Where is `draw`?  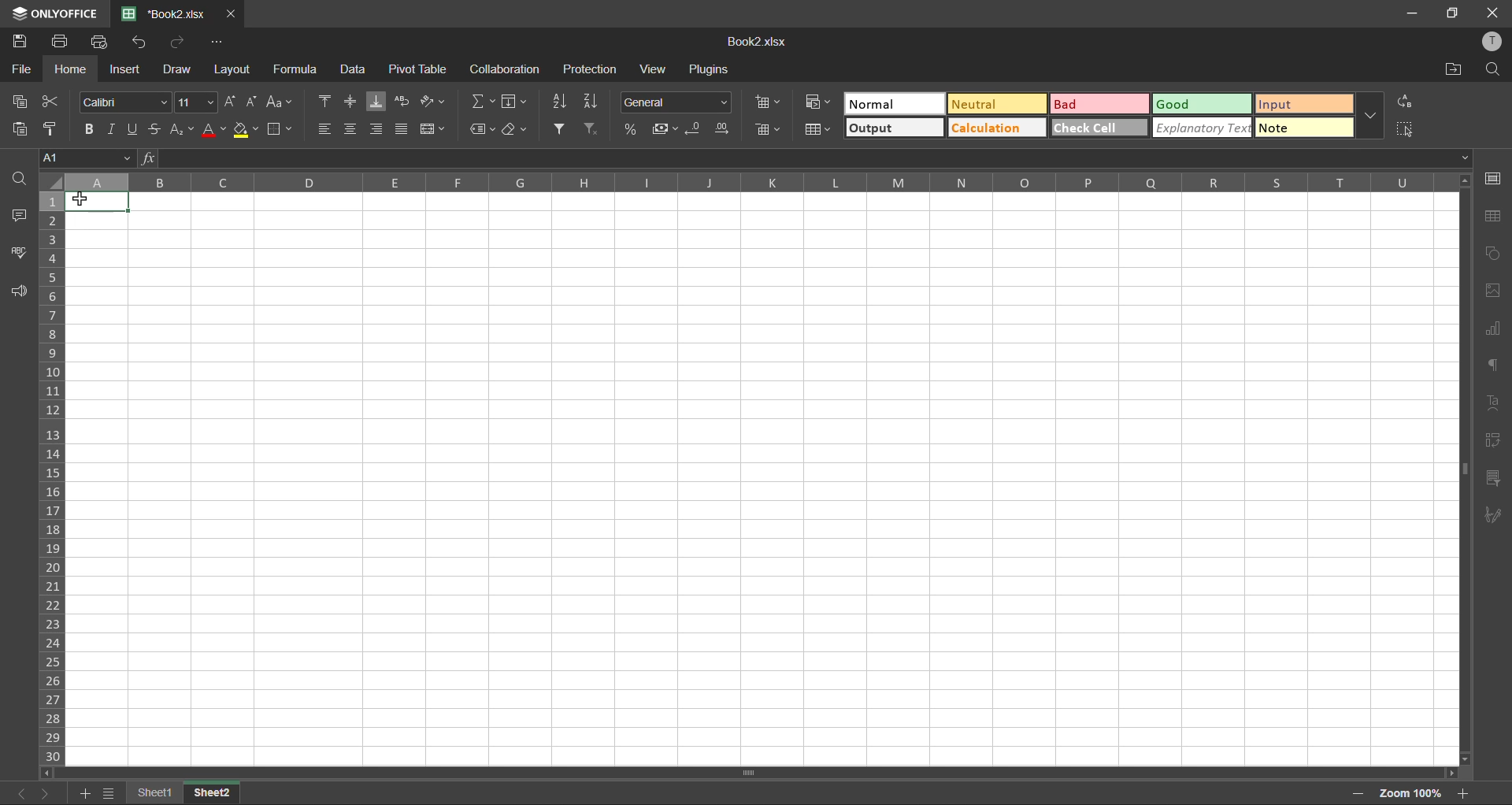
draw is located at coordinates (176, 72).